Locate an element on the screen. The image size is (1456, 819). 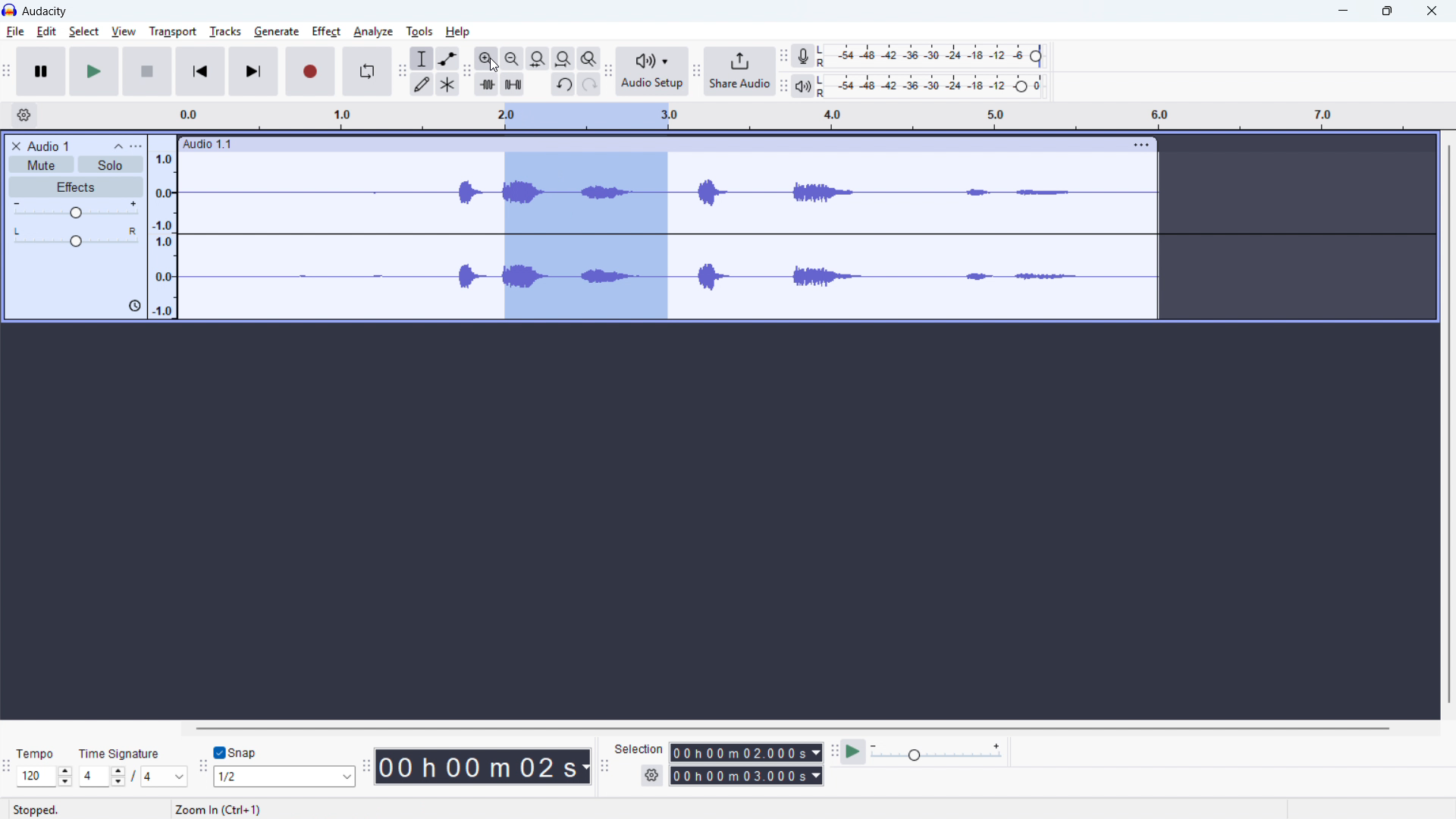
Selection end time is located at coordinates (748, 776).